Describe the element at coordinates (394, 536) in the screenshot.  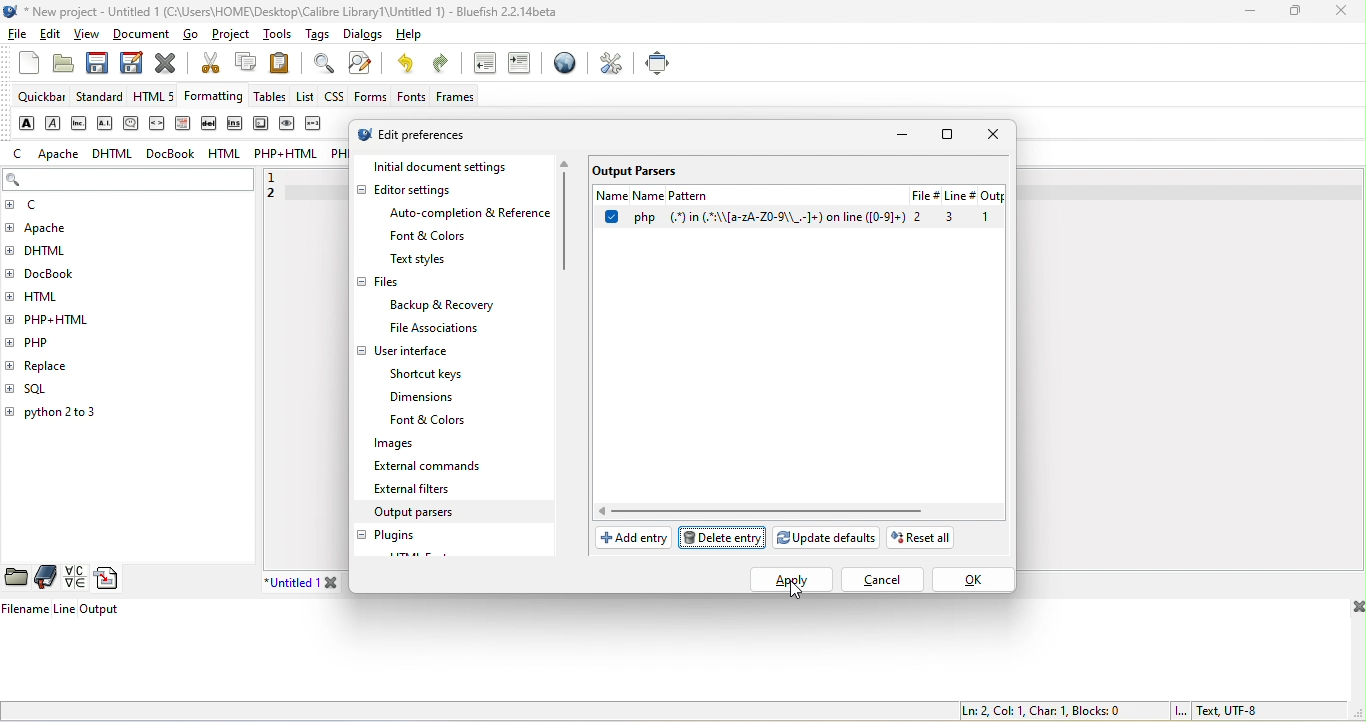
I see `plugins` at that location.